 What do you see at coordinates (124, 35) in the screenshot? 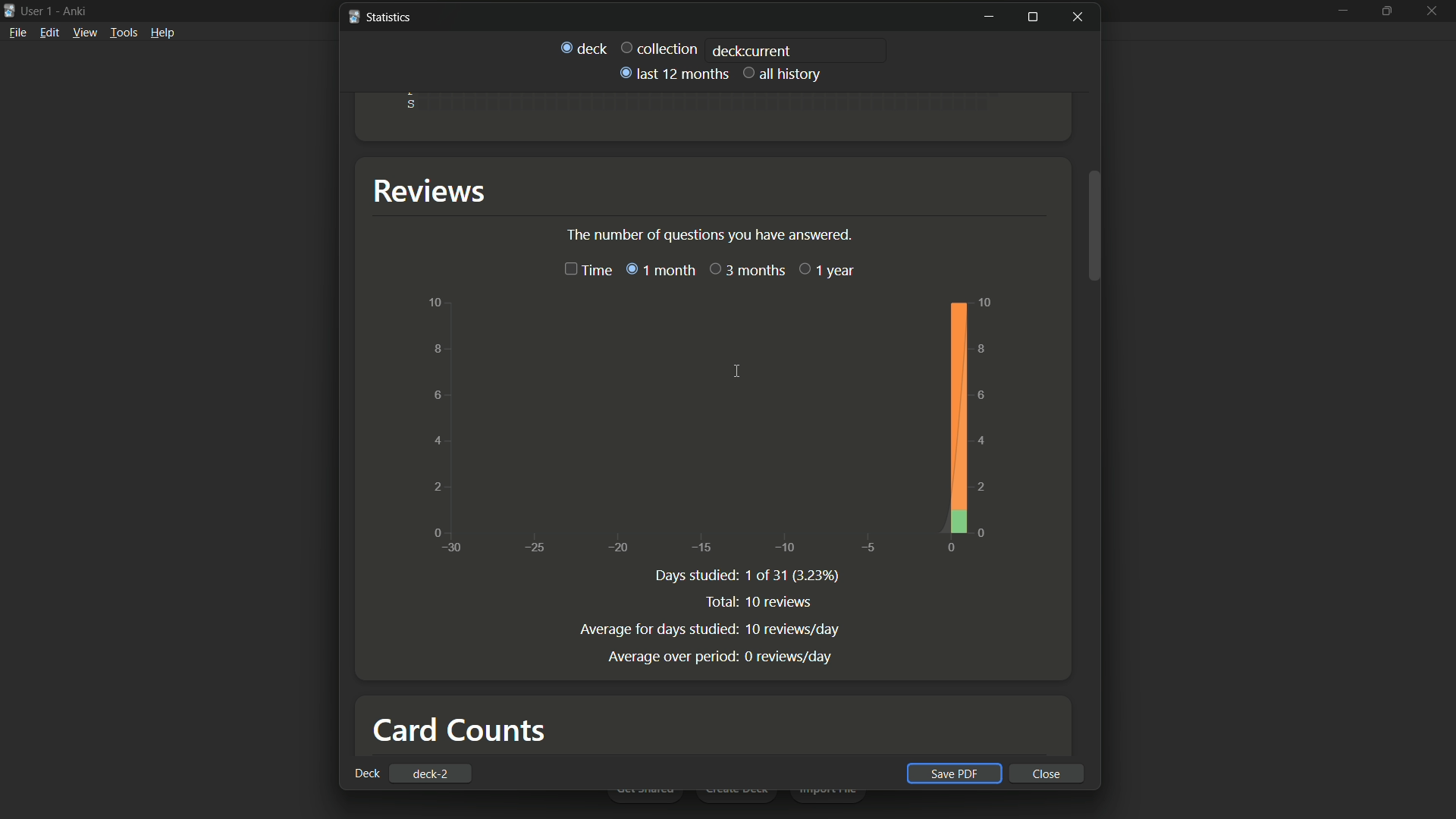
I see `Tools` at bounding box center [124, 35].